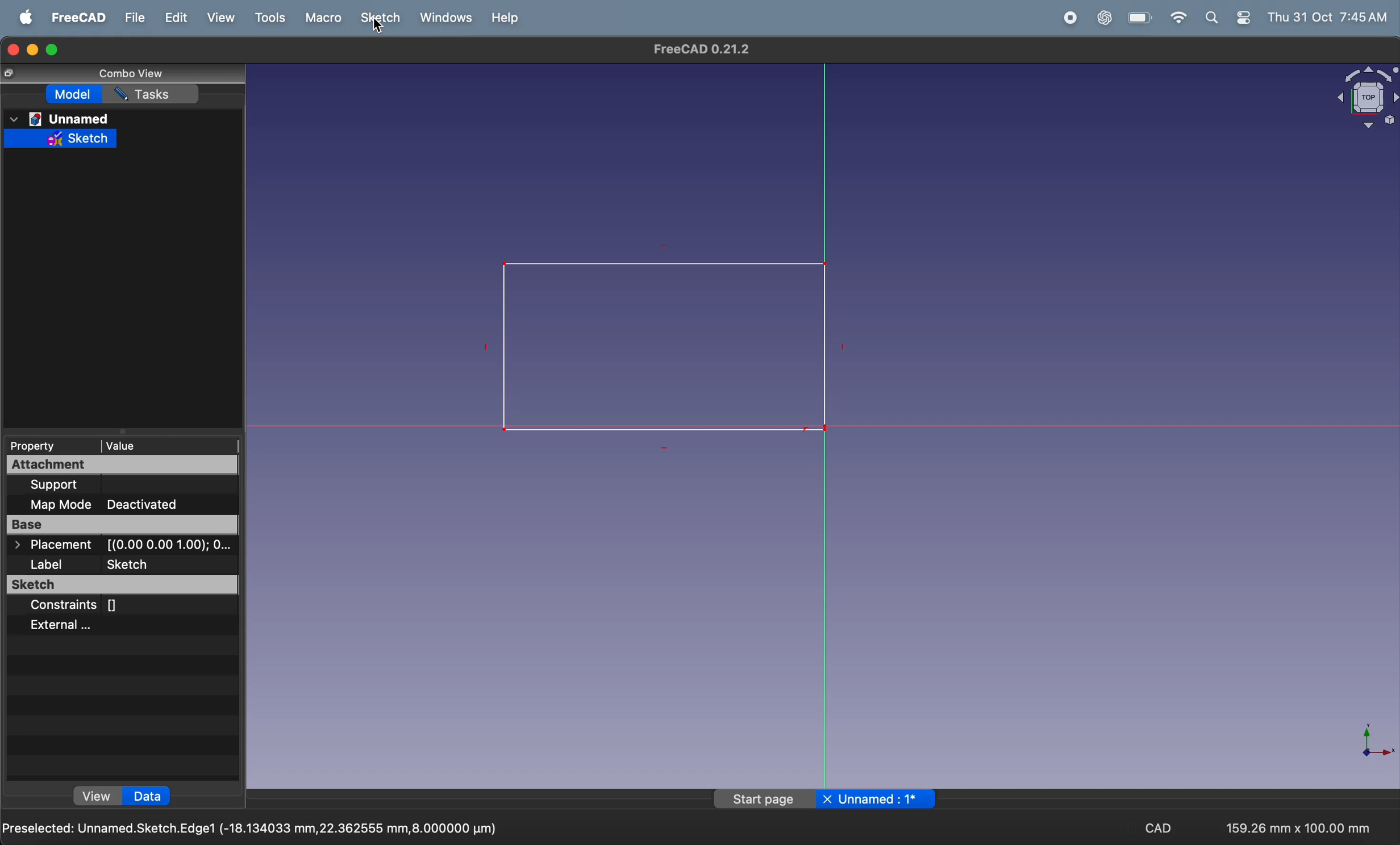  I want to click on property, so click(44, 445).